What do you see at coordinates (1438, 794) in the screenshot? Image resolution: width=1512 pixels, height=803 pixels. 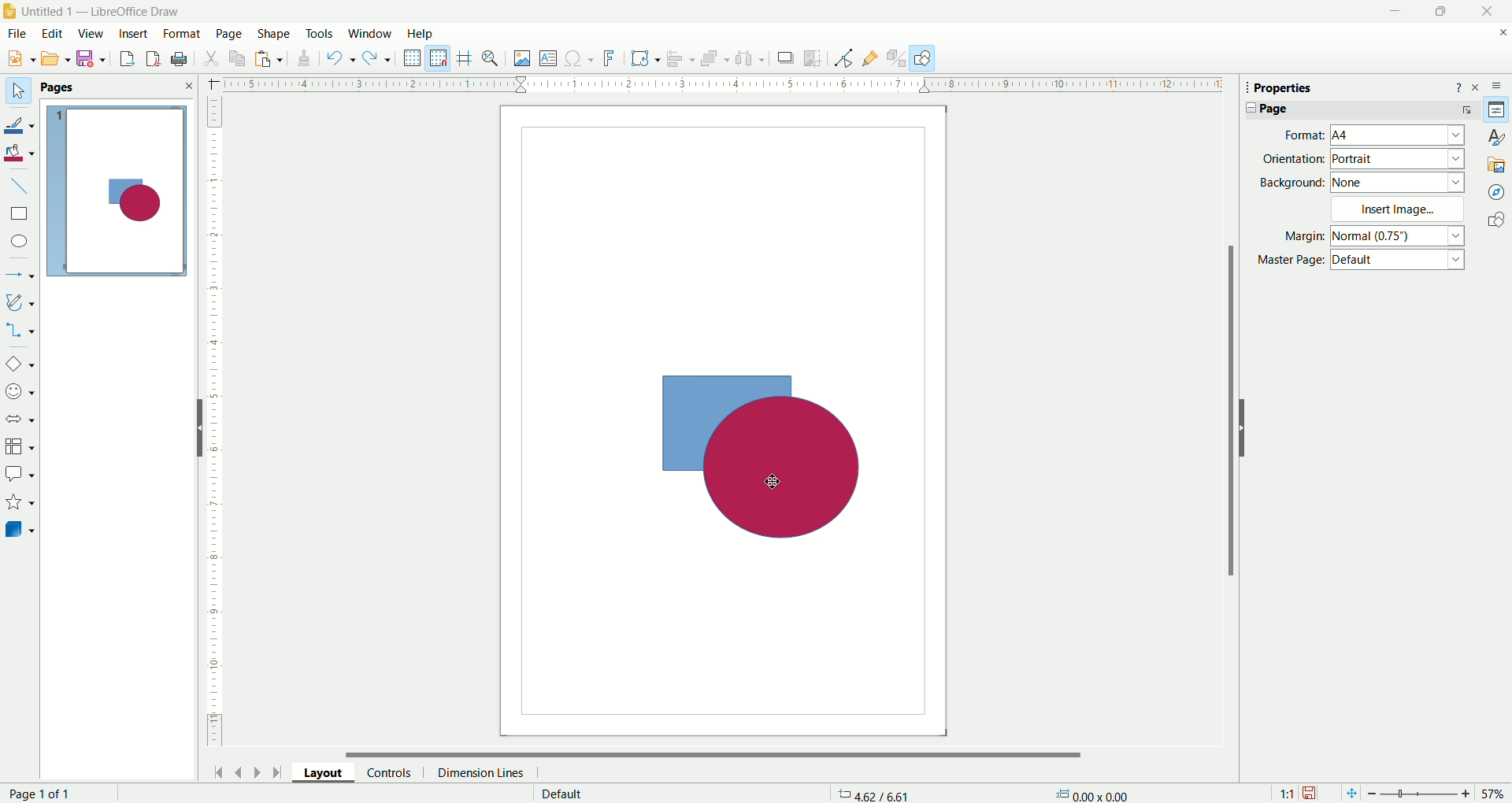 I see `zoom factor` at bounding box center [1438, 794].